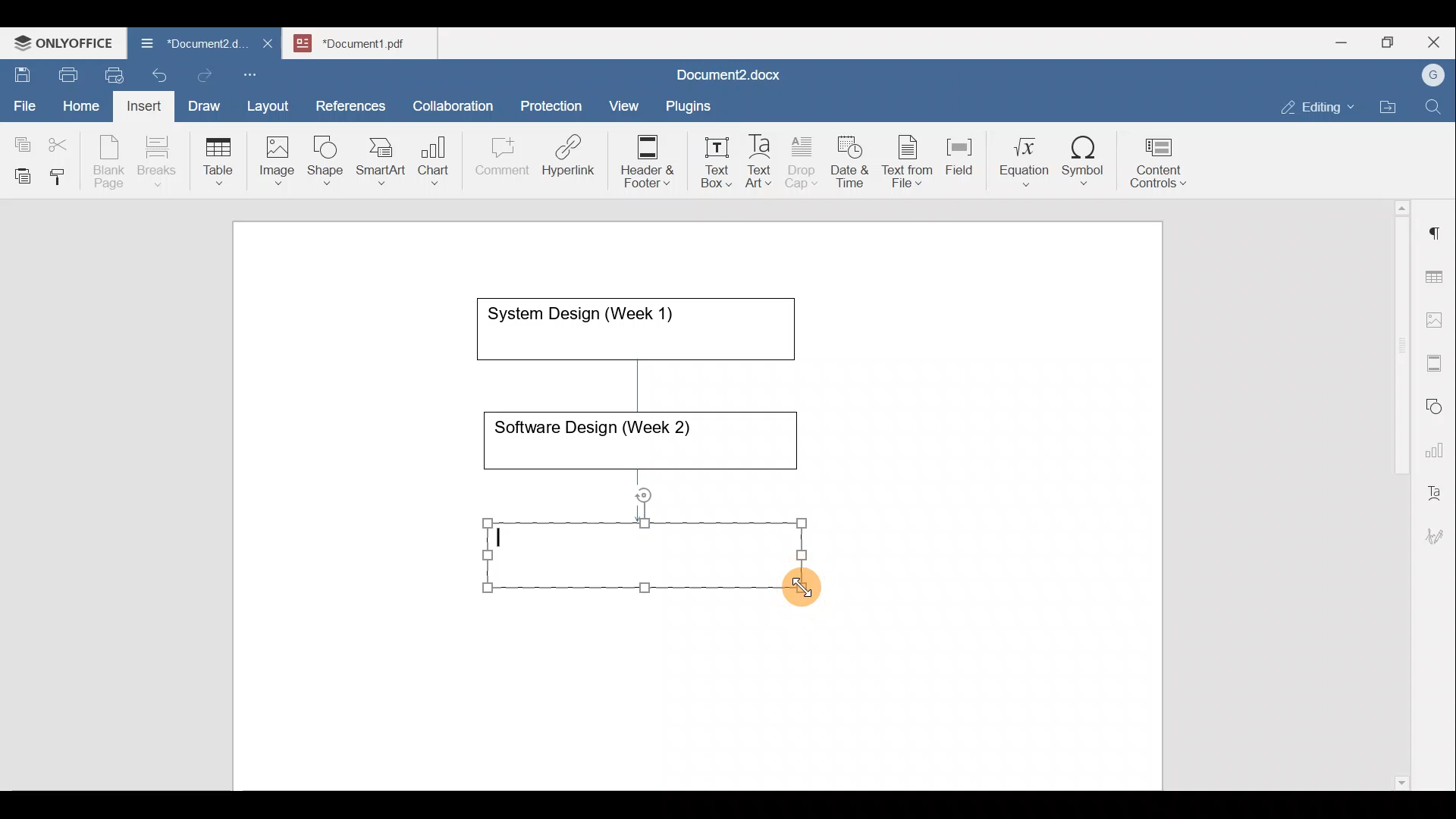 This screenshot has height=819, width=1456. What do you see at coordinates (1437, 318) in the screenshot?
I see `Image settings` at bounding box center [1437, 318].